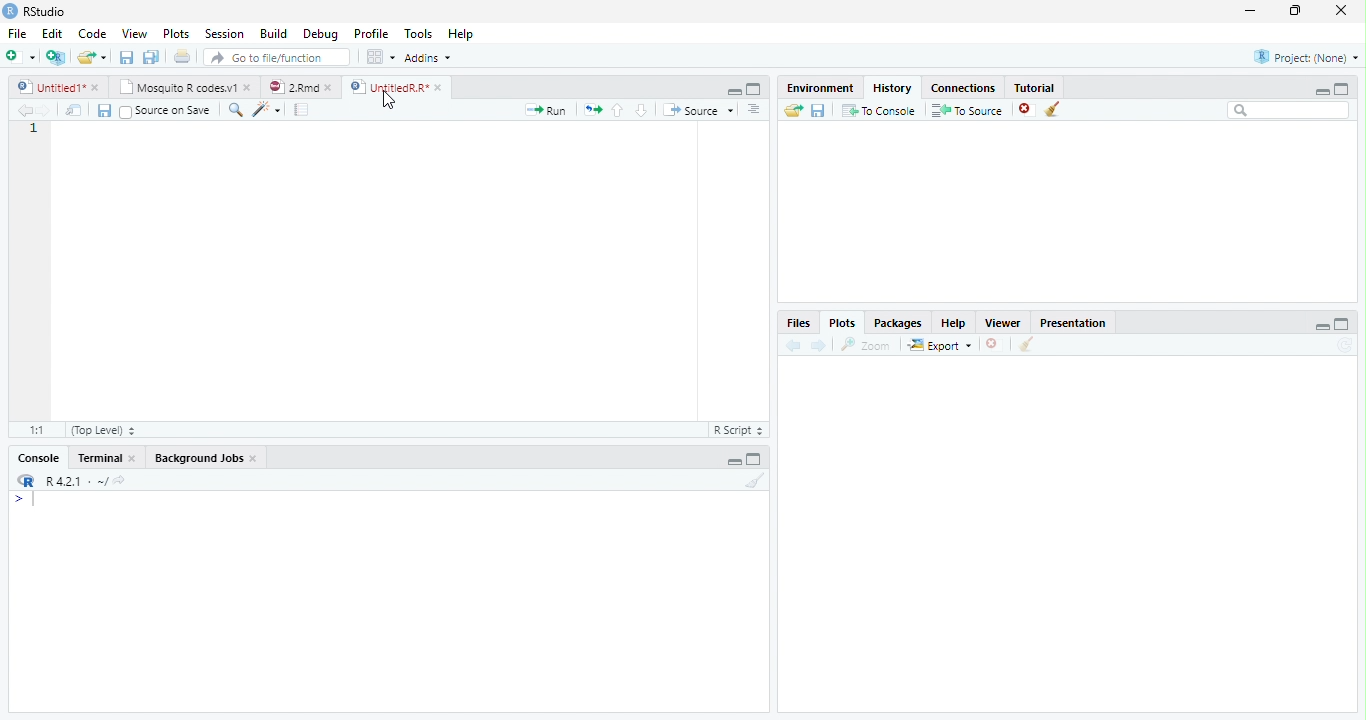 This screenshot has width=1366, height=720. Describe the element at coordinates (150, 58) in the screenshot. I see `Save all` at that location.